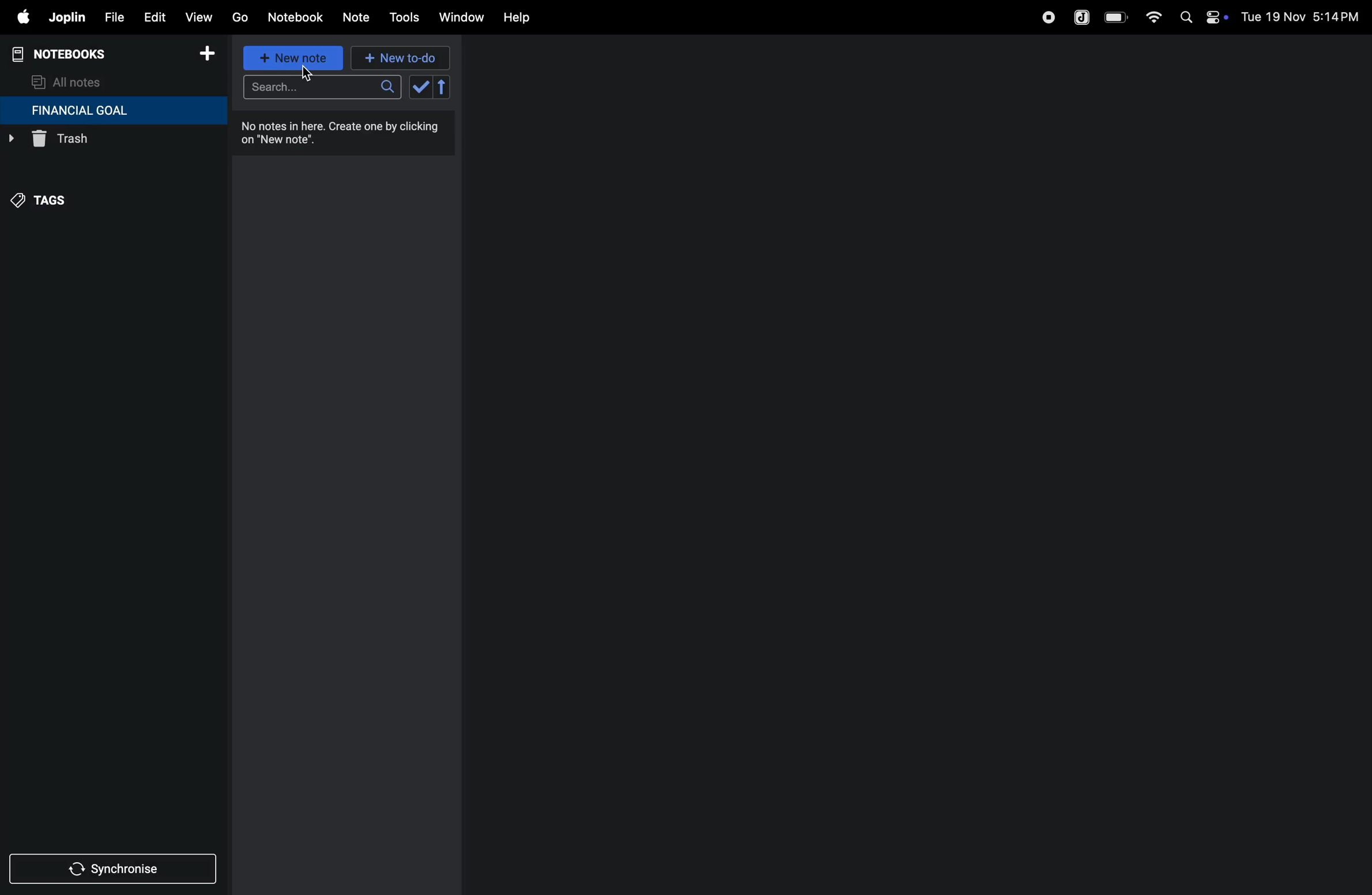  What do you see at coordinates (322, 87) in the screenshot?
I see `search` at bounding box center [322, 87].